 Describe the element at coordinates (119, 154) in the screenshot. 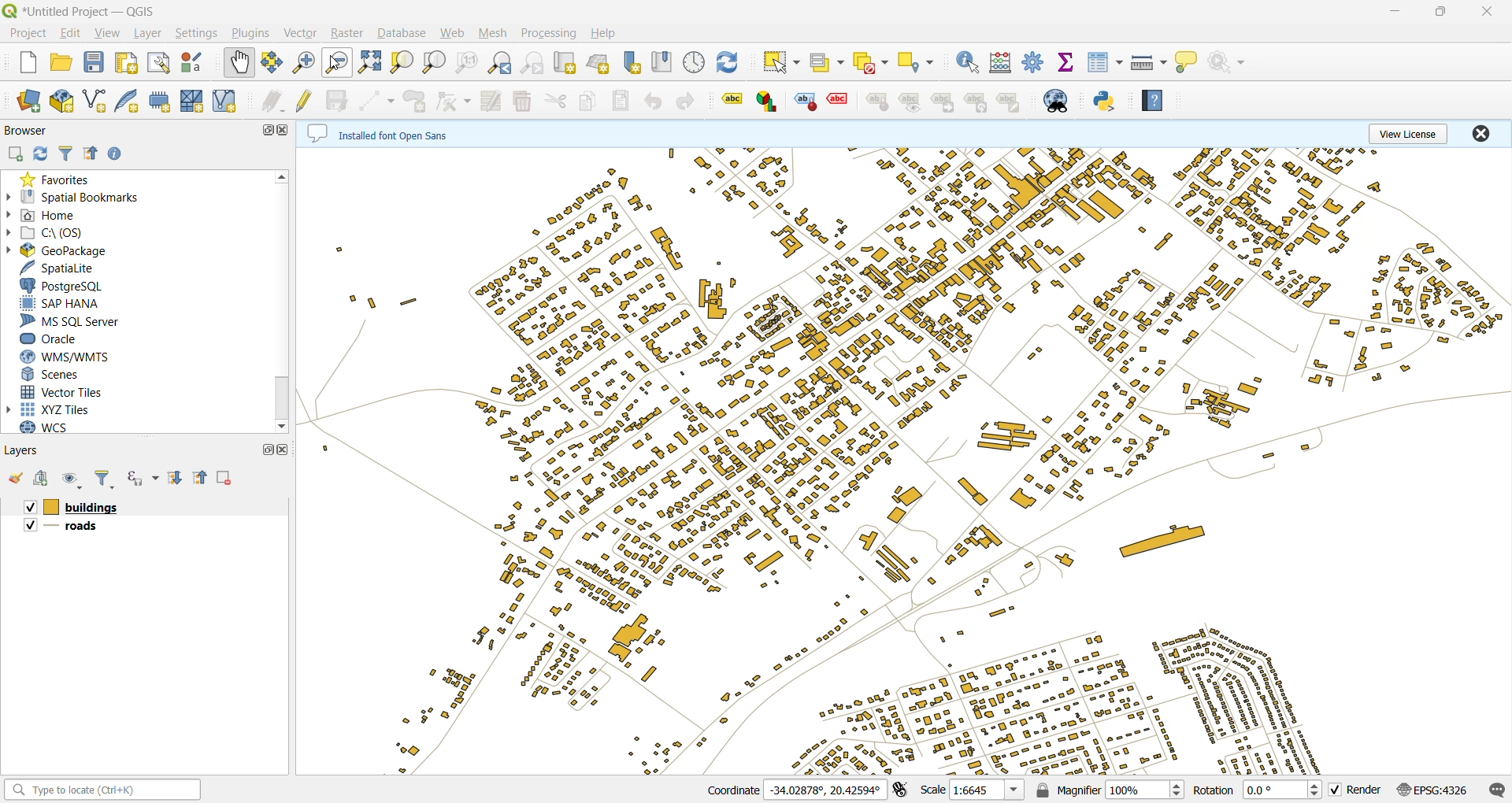

I see `enable/disable properties` at that location.